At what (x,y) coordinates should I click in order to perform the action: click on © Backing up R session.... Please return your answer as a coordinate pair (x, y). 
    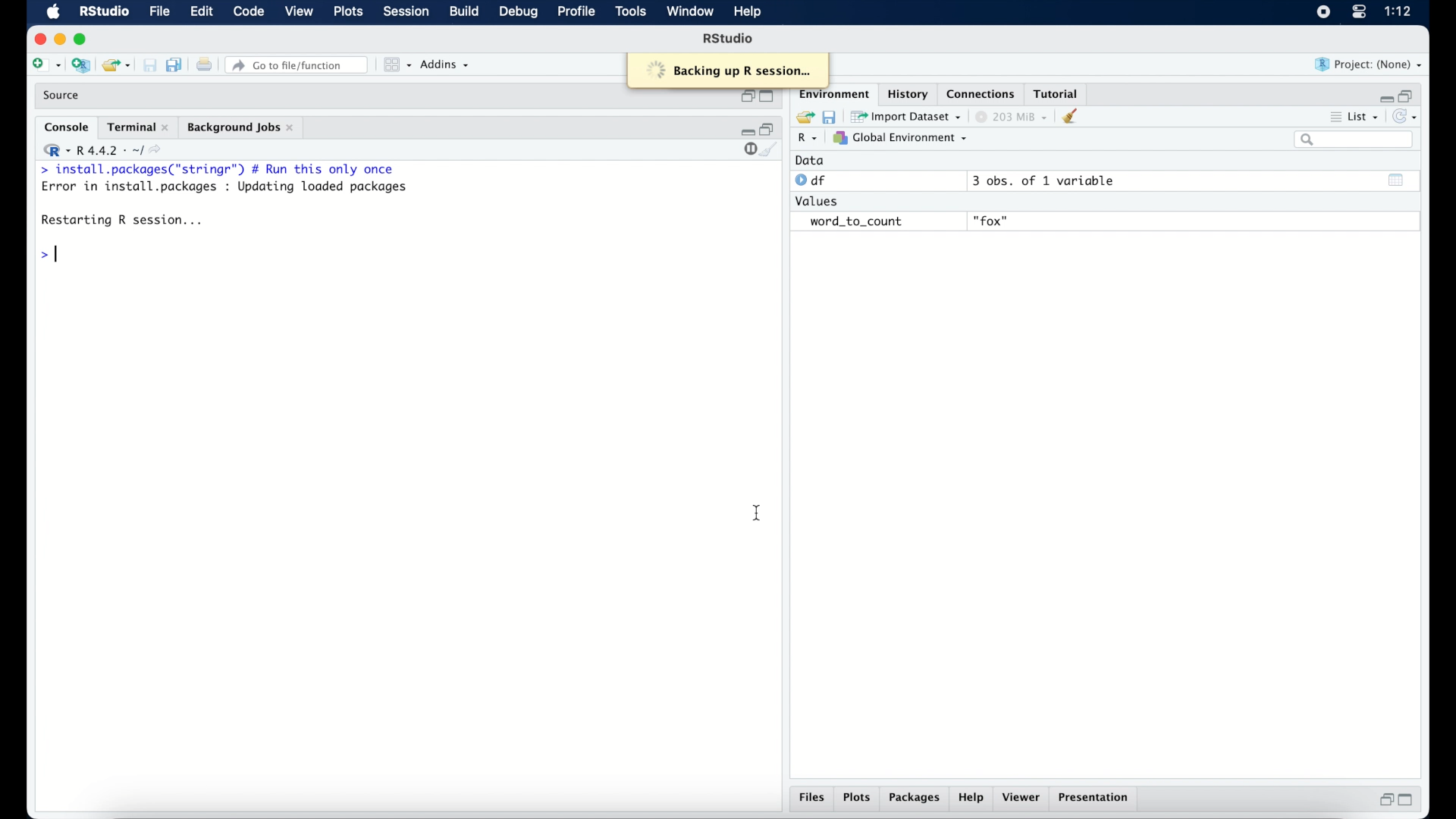
    Looking at the image, I should click on (727, 71).